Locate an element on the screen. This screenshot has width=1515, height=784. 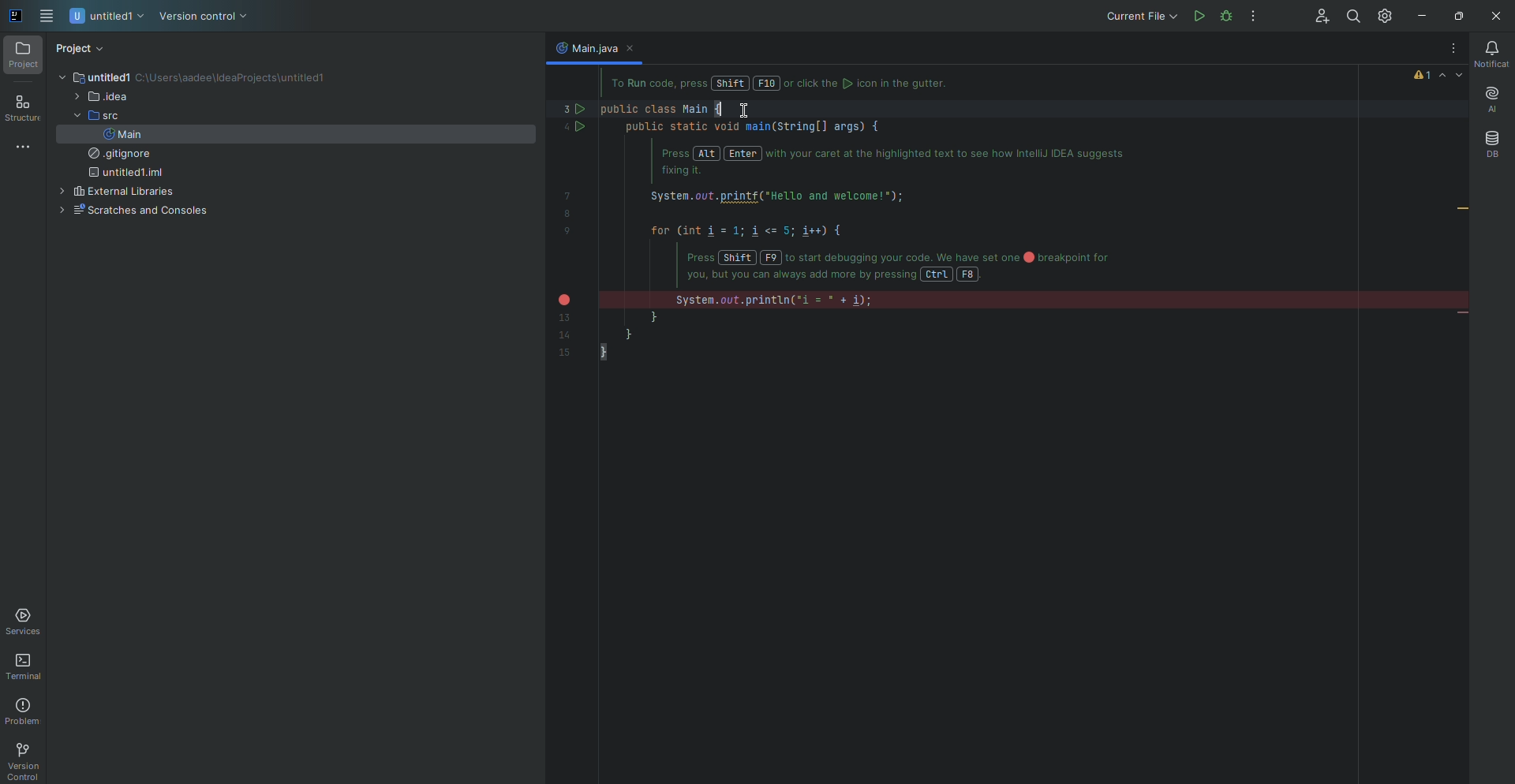
Current File is located at coordinates (1139, 16).